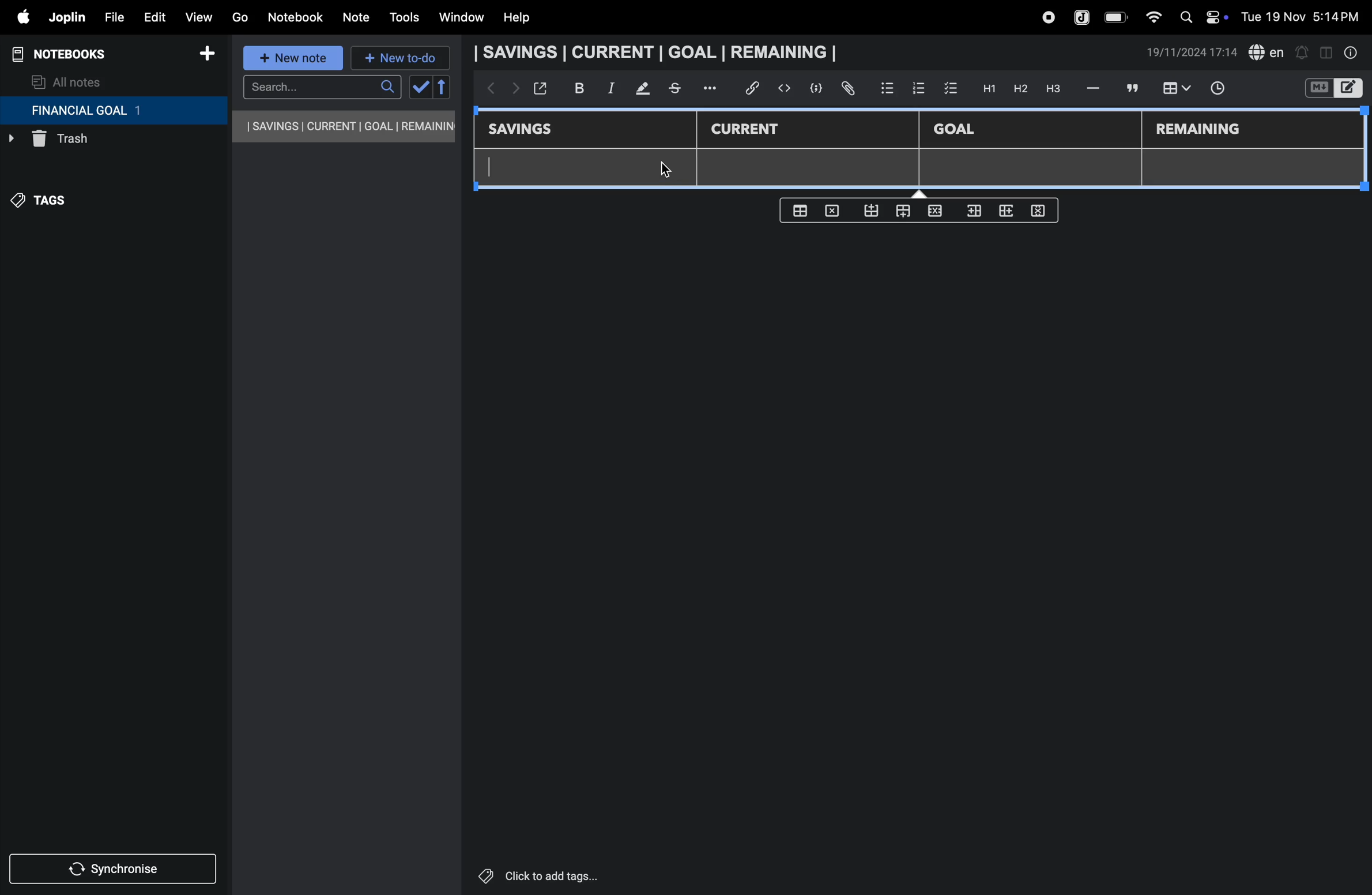  Describe the element at coordinates (402, 17) in the screenshot. I see `tools` at that location.